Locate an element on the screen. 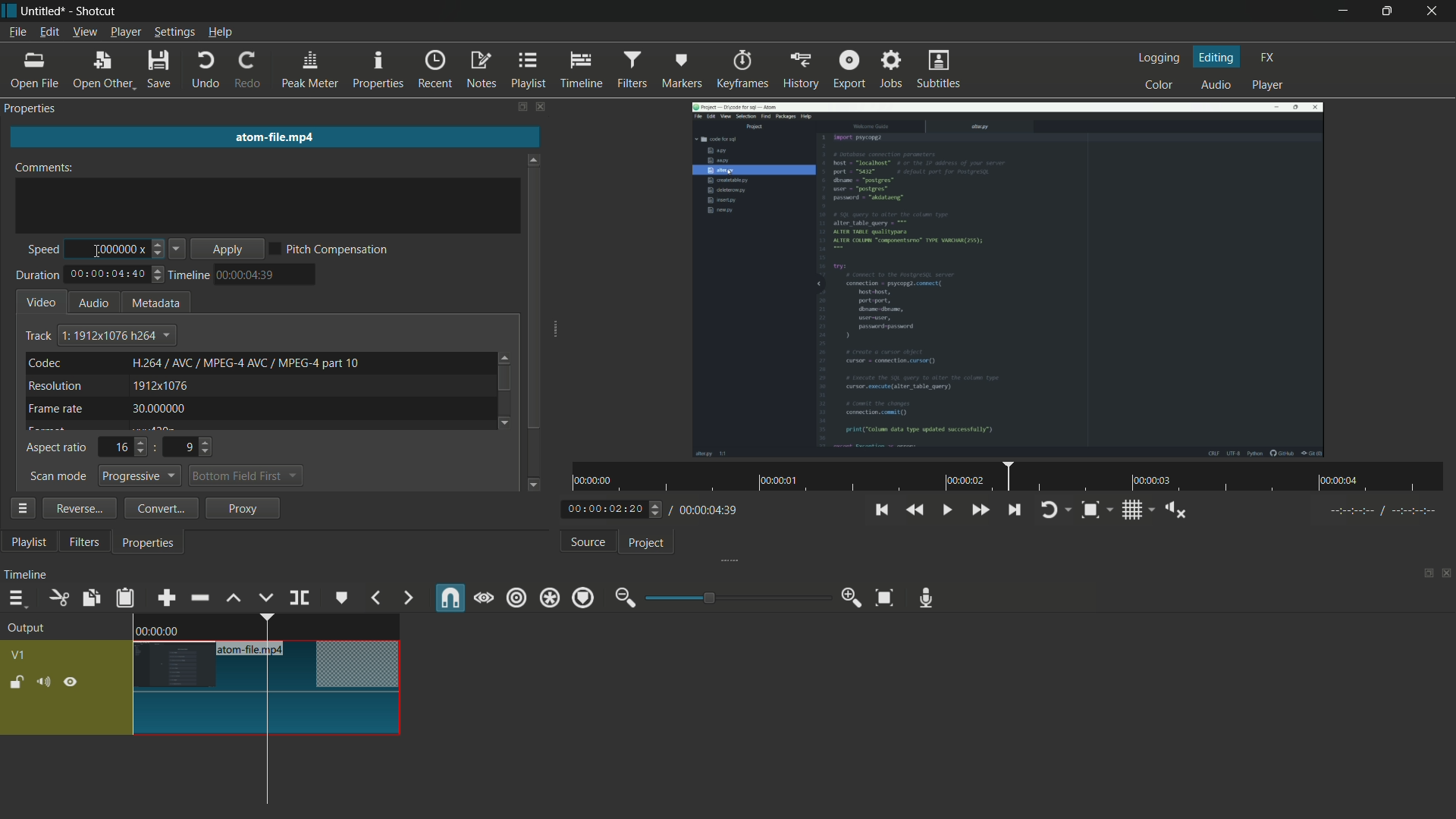  quickly play backward is located at coordinates (915, 510).